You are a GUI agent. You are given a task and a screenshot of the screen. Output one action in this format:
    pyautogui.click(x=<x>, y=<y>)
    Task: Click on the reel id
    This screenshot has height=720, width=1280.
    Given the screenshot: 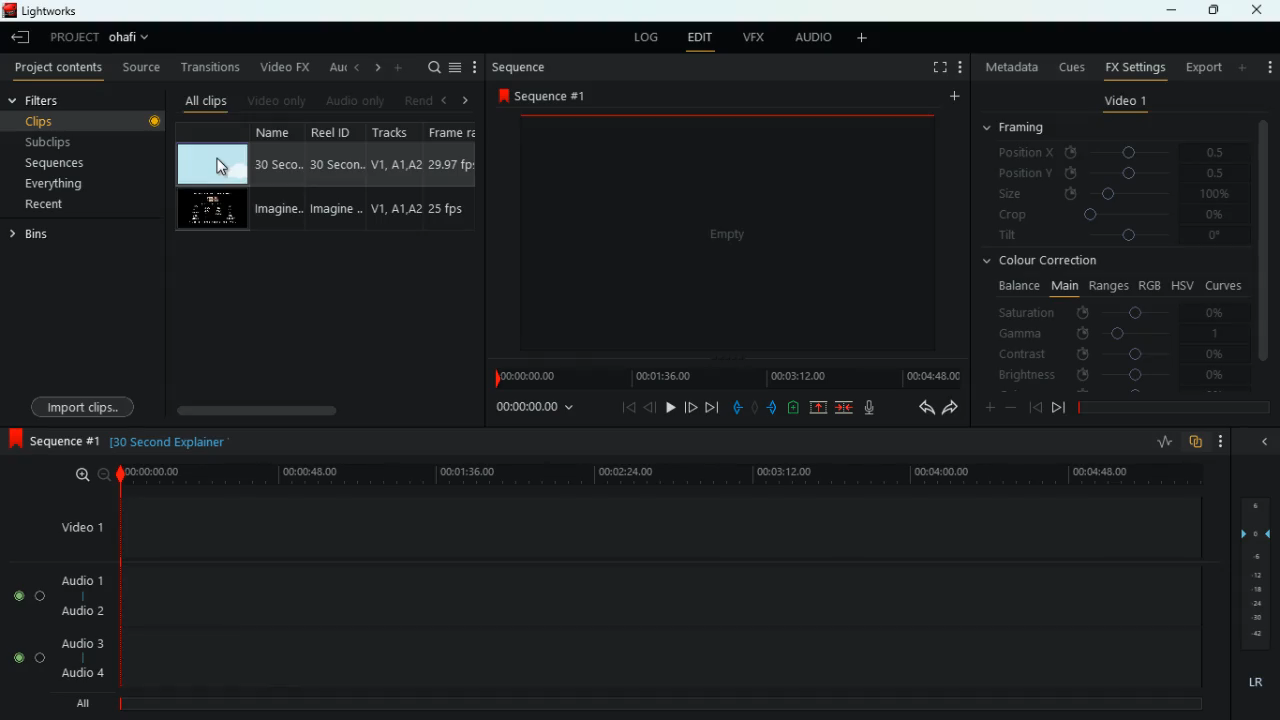 What is the action you would take?
    pyautogui.click(x=334, y=179)
    